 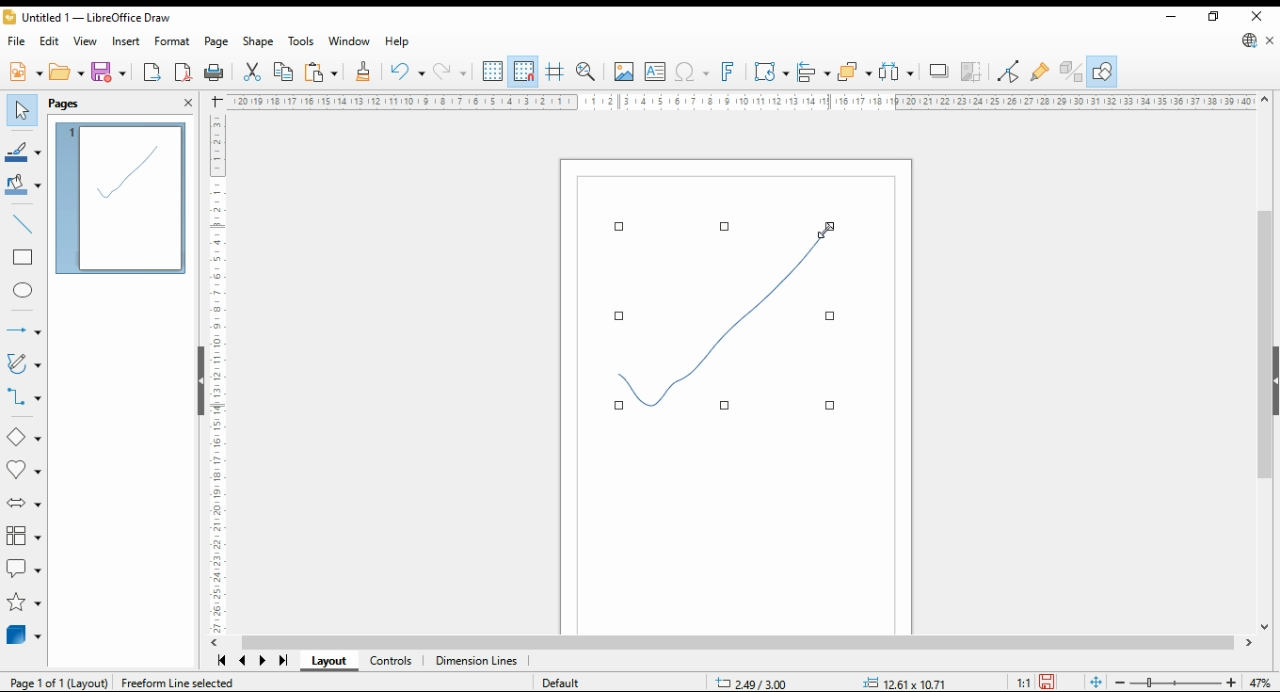 I want to click on mouse pointer, so click(x=829, y=229).